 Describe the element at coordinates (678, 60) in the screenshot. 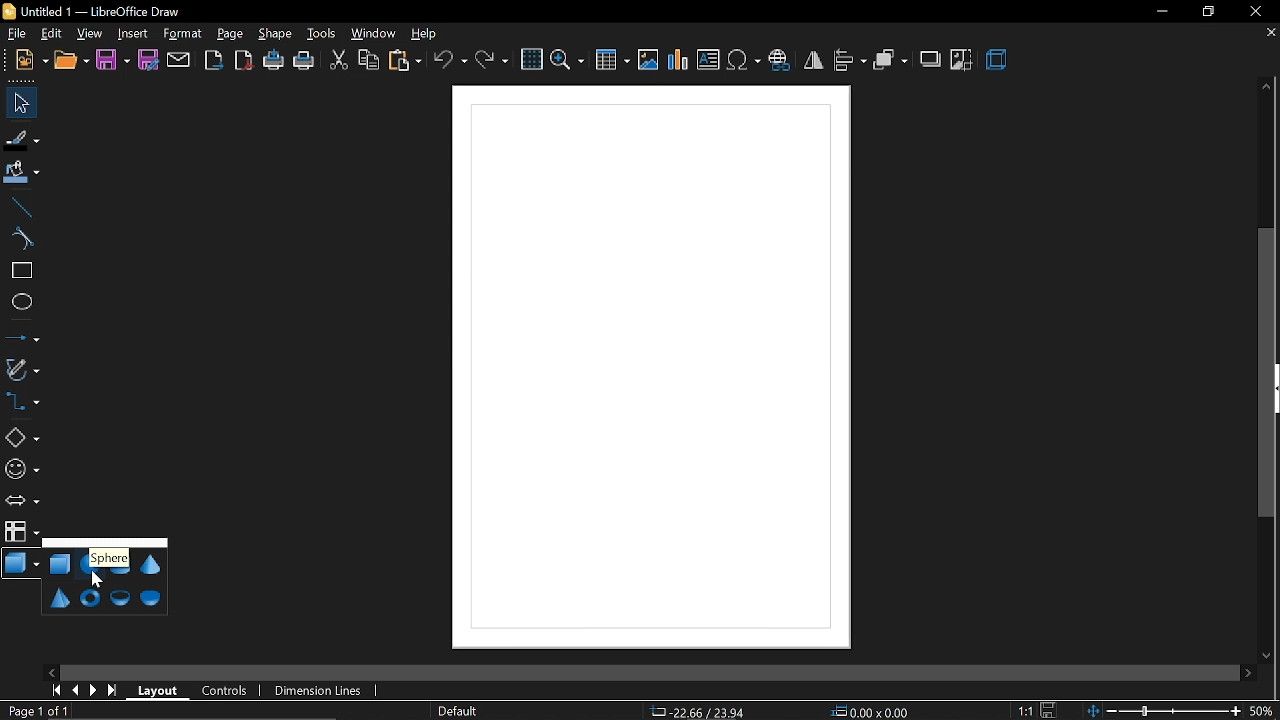

I see `insert chart` at that location.